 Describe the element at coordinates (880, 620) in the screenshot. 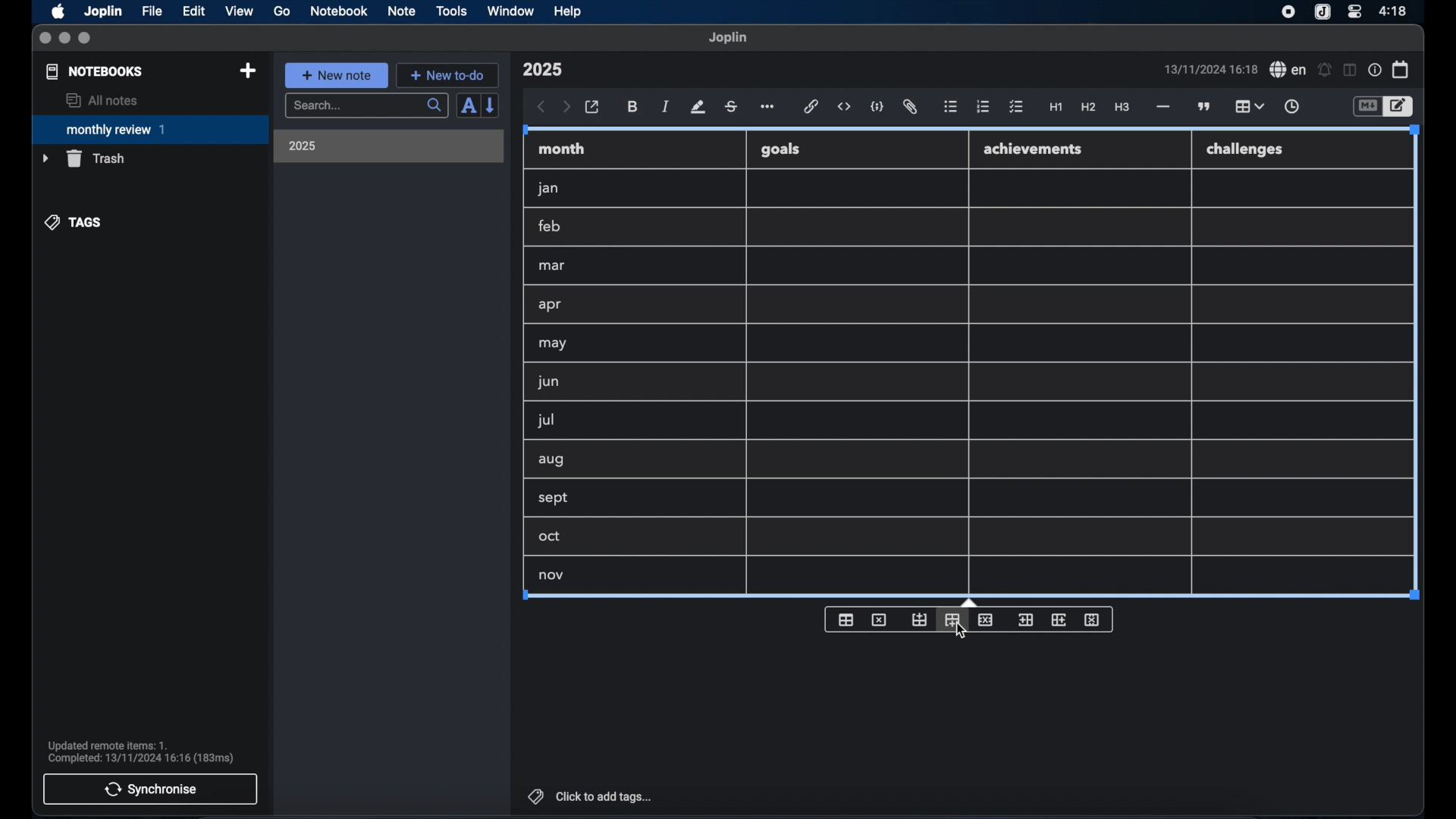

I see `delete table` at that location.